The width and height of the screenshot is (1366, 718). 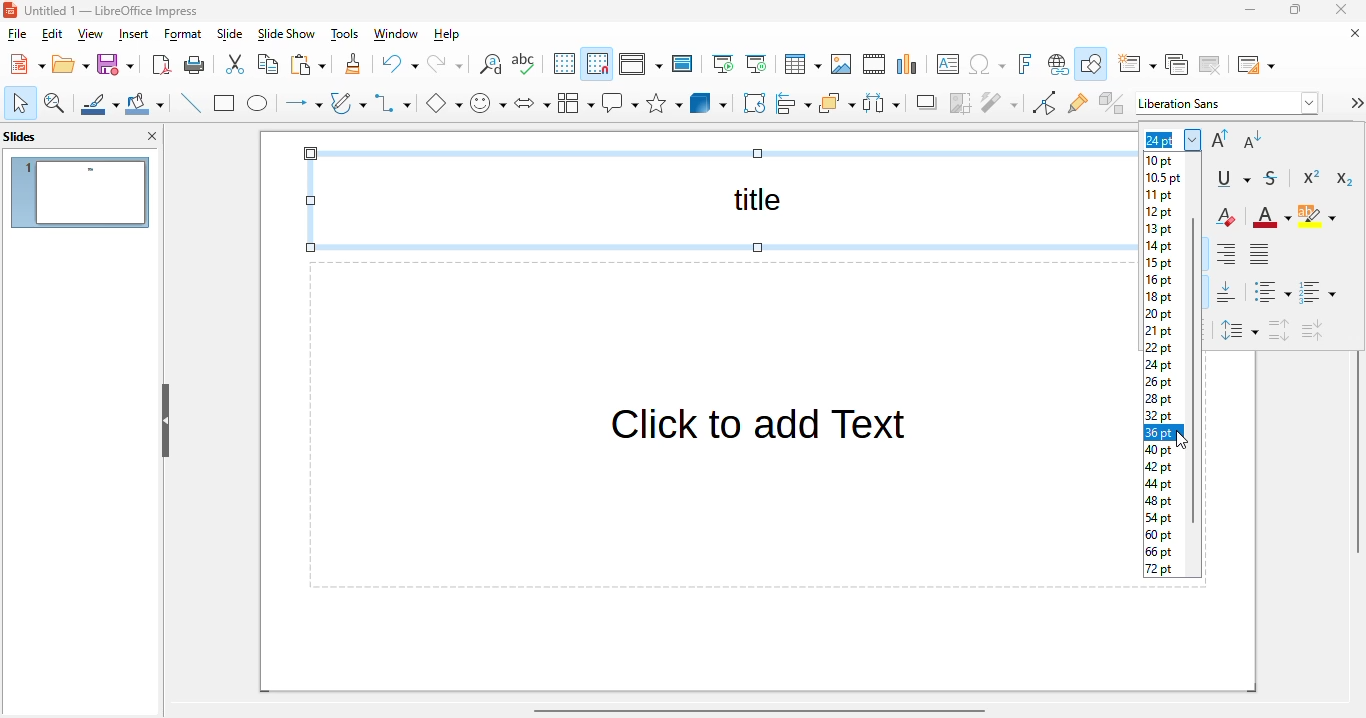 What do you see at coordinates (1313, 177) in the screenshot?
I see `superscript` at bounding box center [1313, 177].